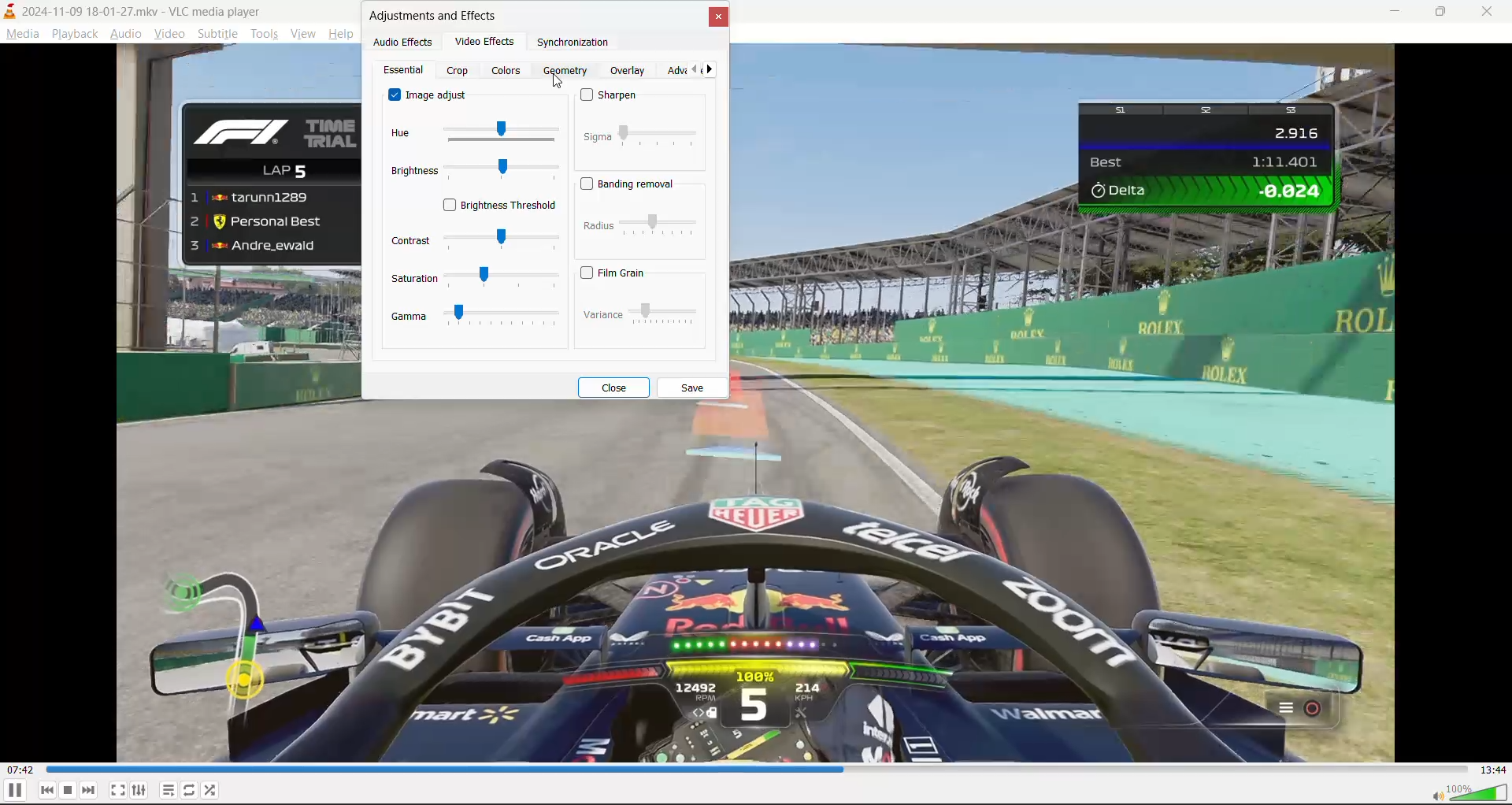 This screenshot has width=1512, height=805. Describe the element at coordinates (217, 35) in the screenshot. I see `subtitle` at that location.